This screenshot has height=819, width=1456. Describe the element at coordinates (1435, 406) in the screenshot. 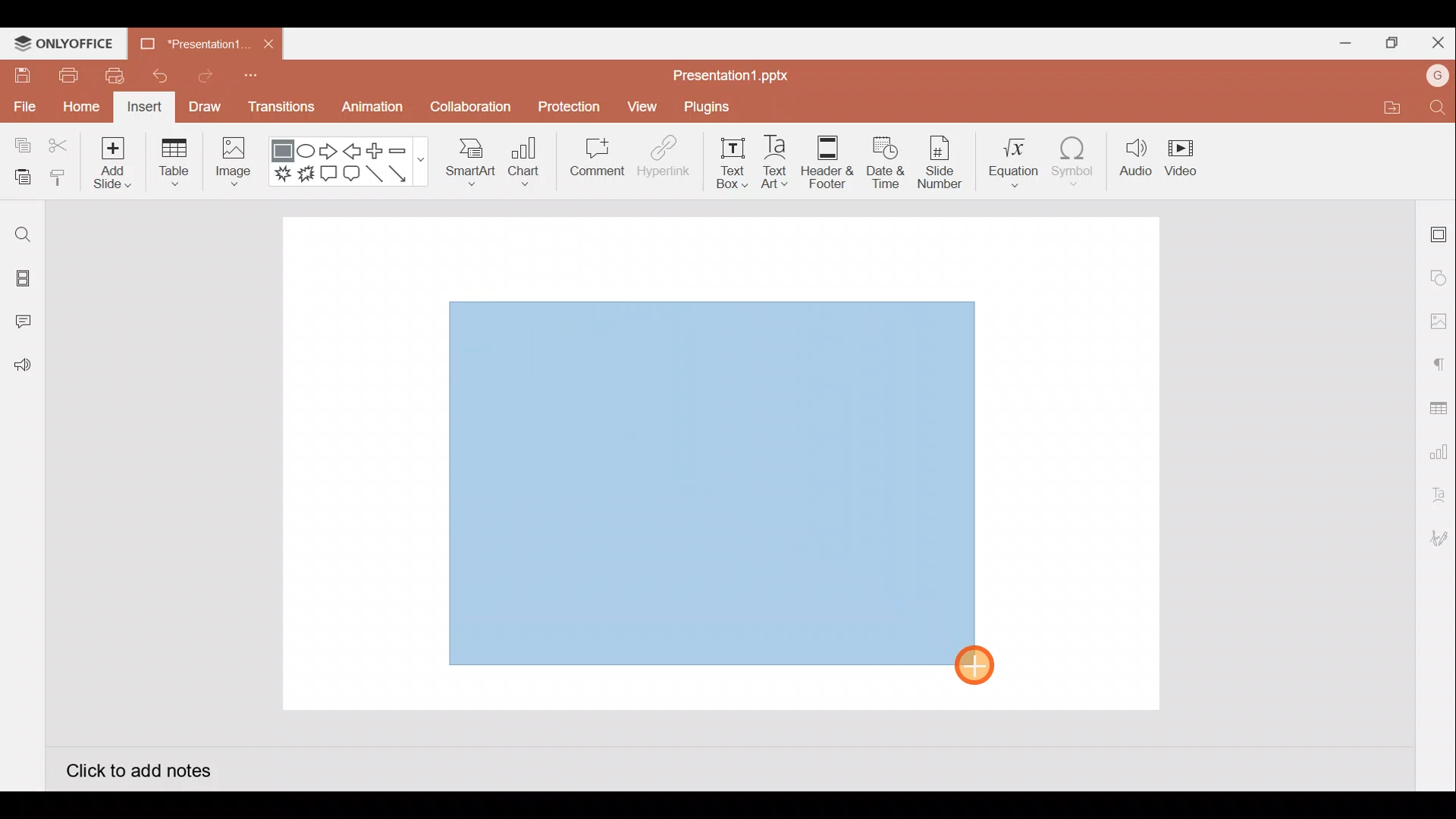

I see `Table settings` at that location.